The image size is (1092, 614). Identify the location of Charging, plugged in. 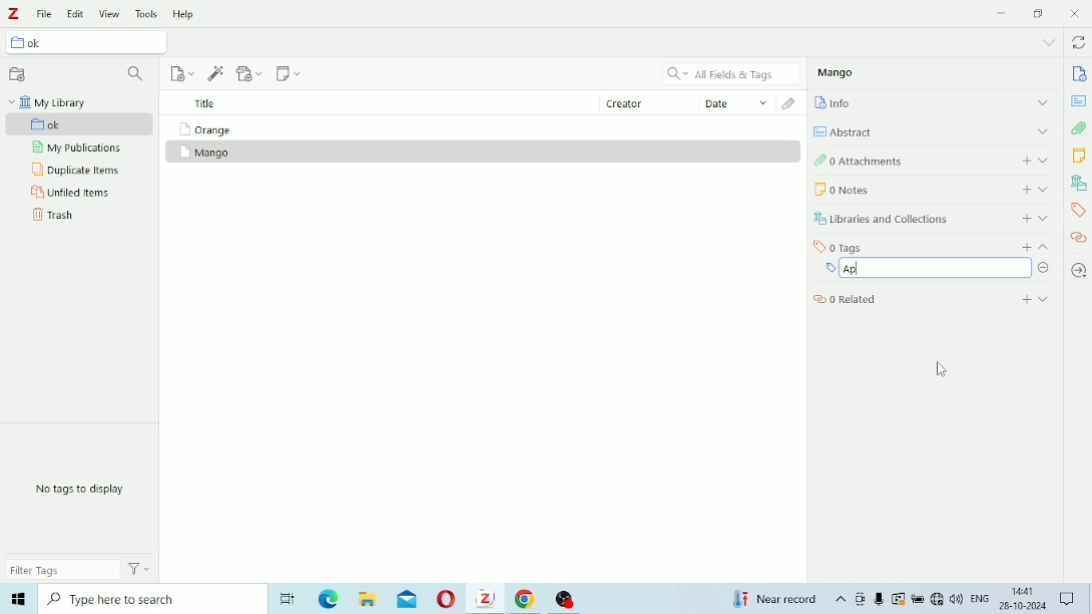
(918, 599).